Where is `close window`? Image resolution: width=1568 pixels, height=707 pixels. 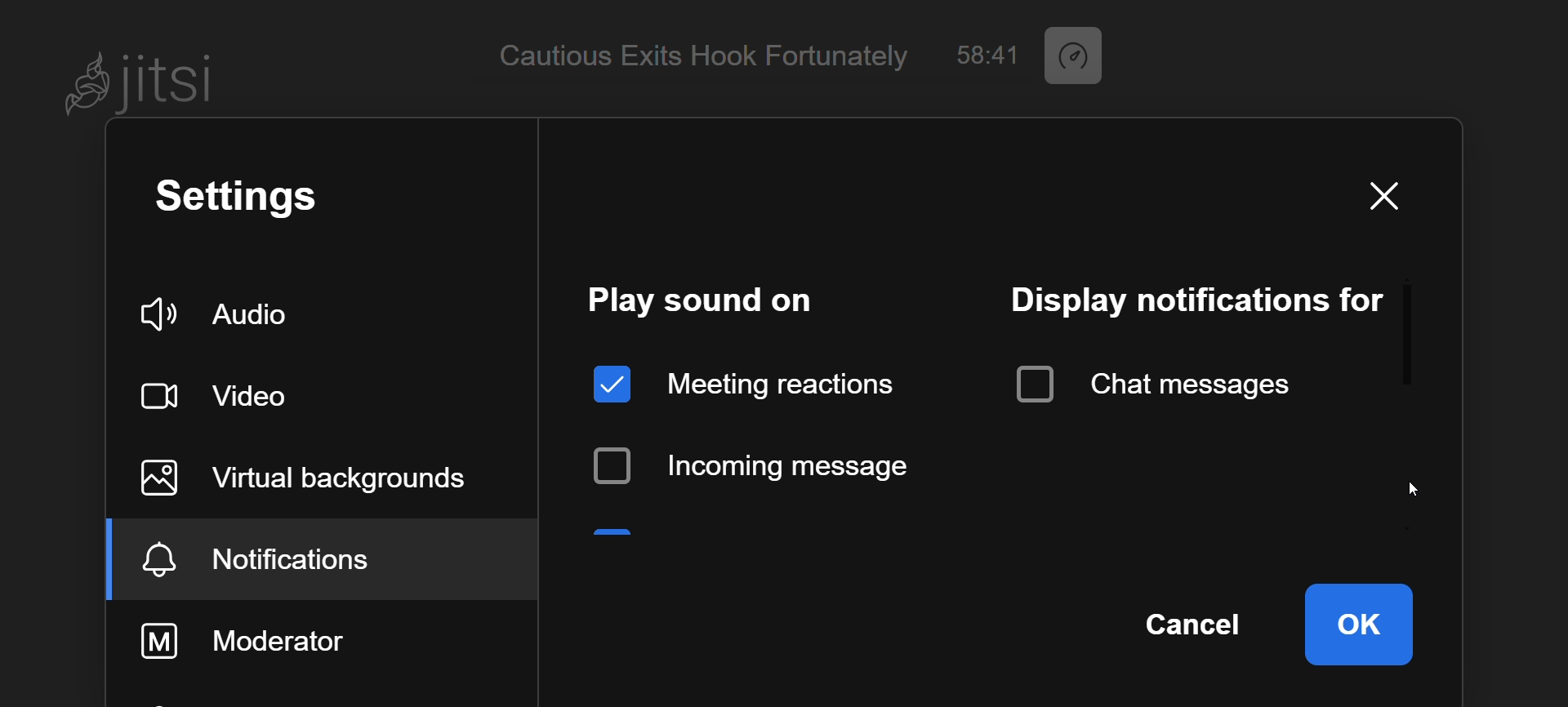 close window is located at coordinates (1380, 198).